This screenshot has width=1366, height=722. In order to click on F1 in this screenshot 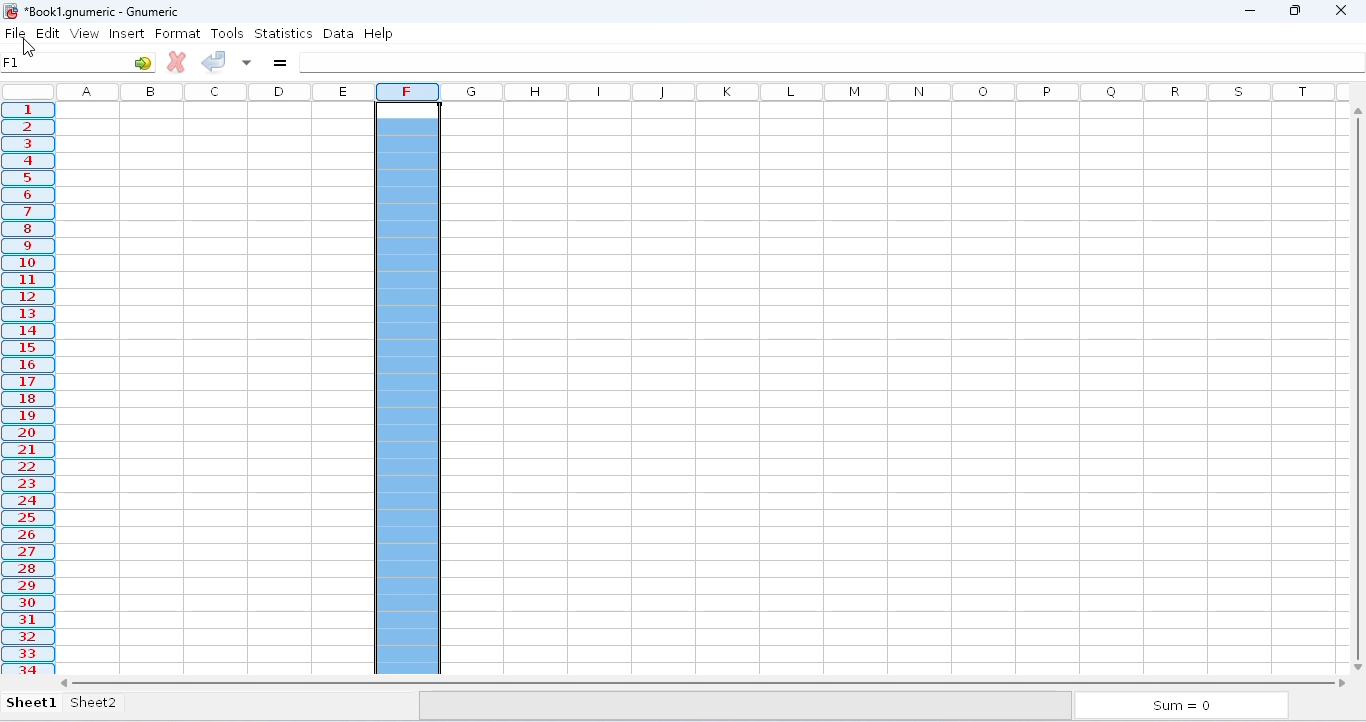, I will do `click(13, 61)`.